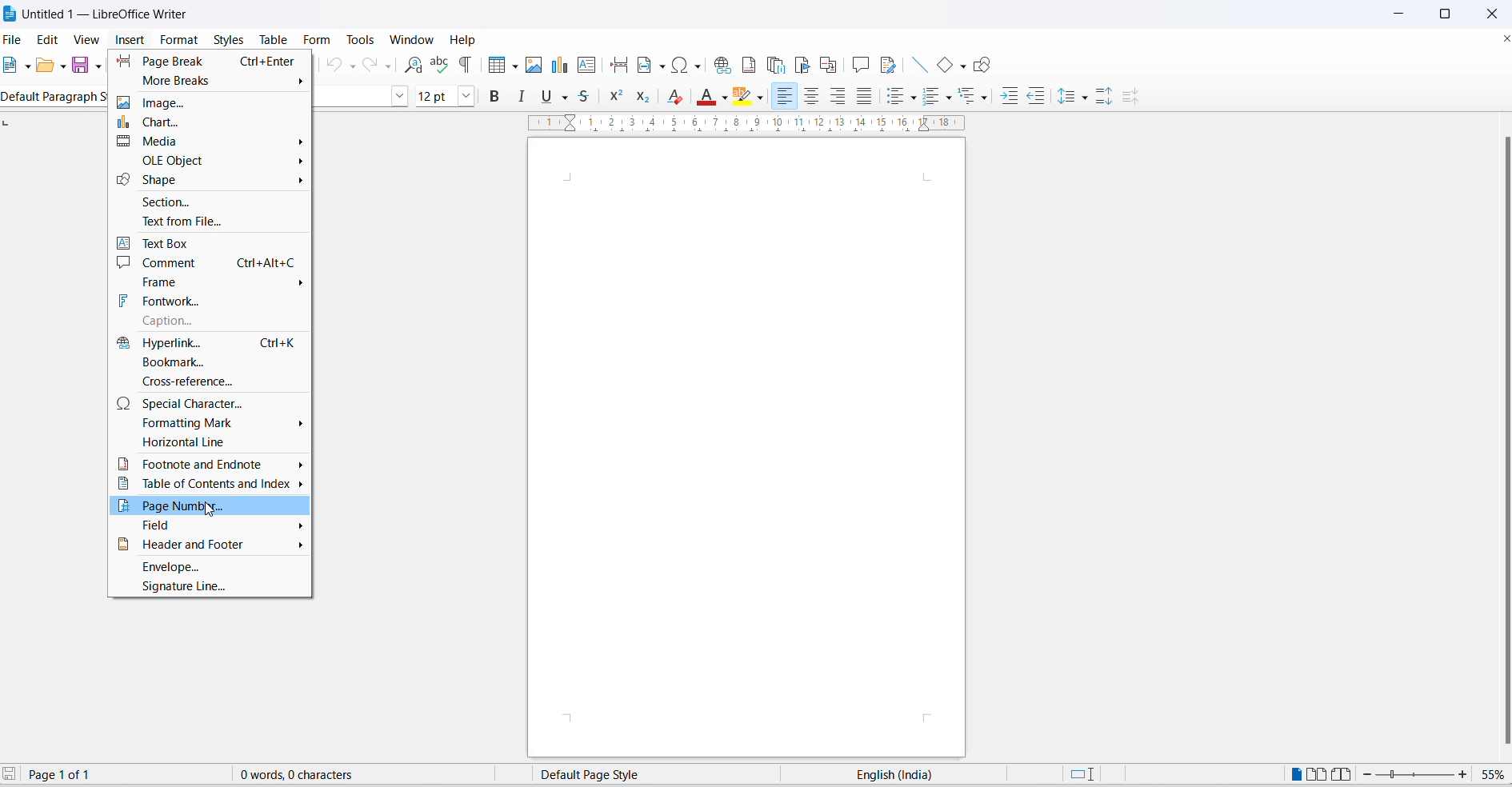  Describe the element at coordinates (210, 423) in the screenshot. I see `formatting mark` at that location.